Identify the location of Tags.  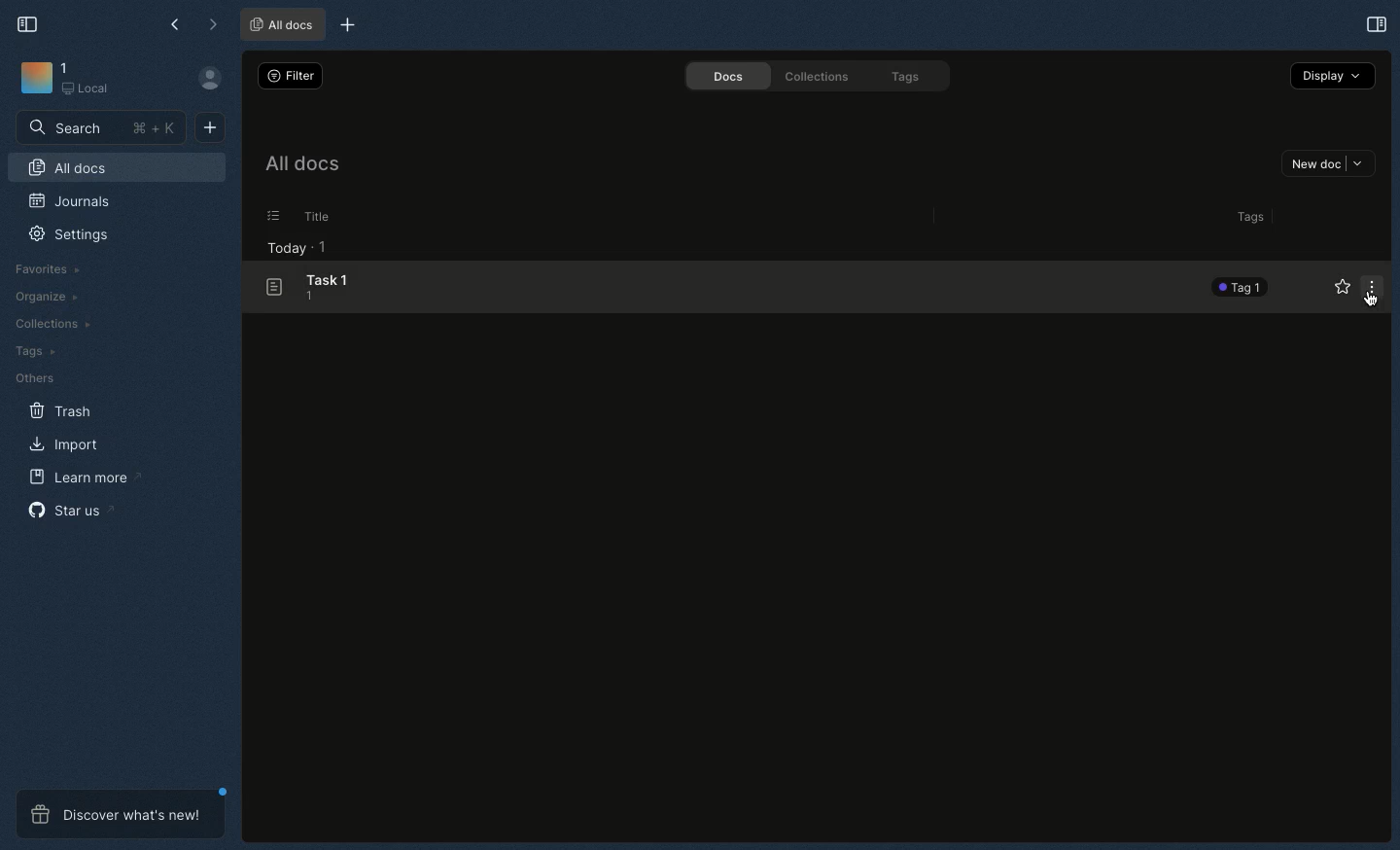
(1250, 217).